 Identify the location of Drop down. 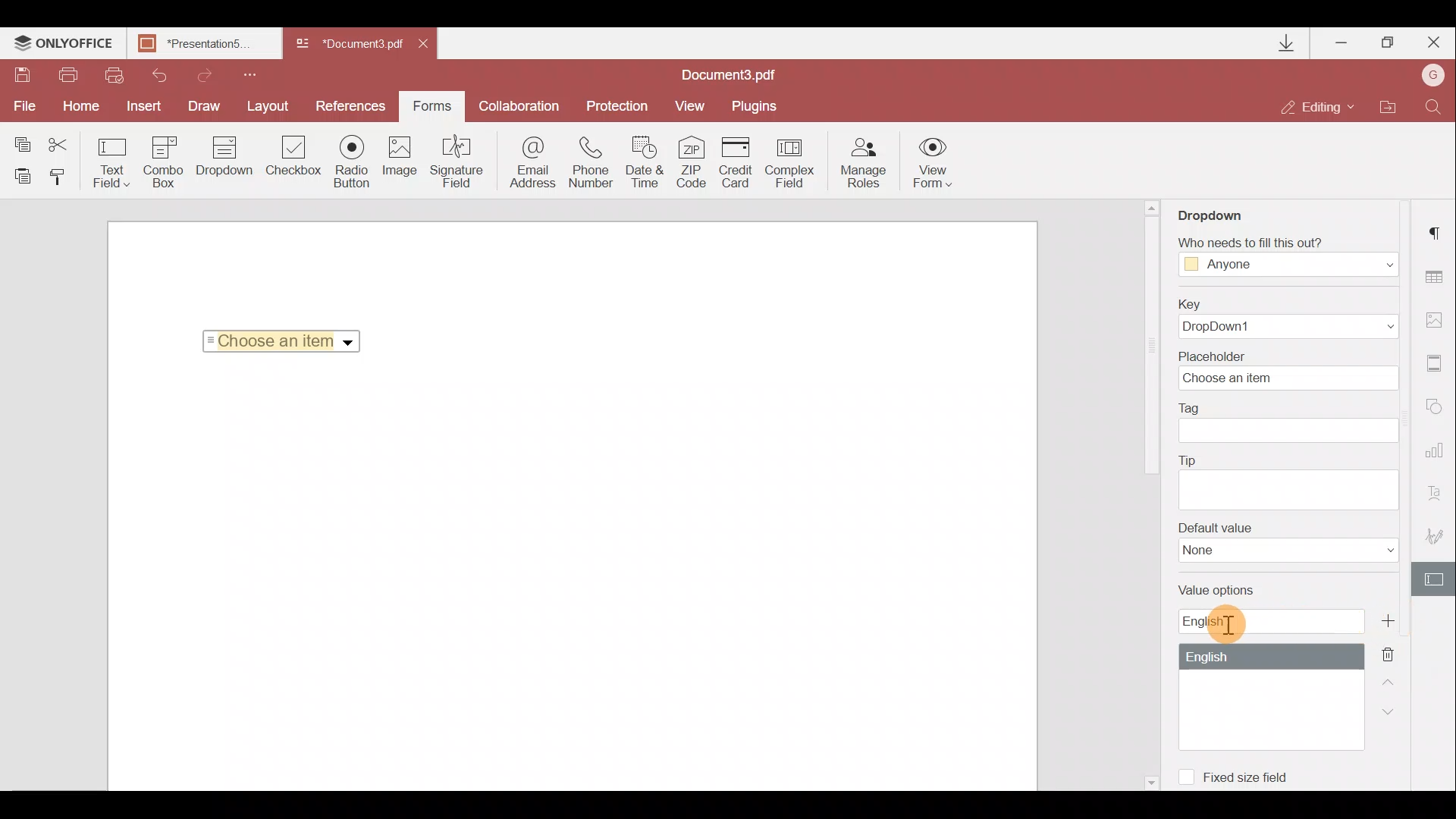
(224, 158).